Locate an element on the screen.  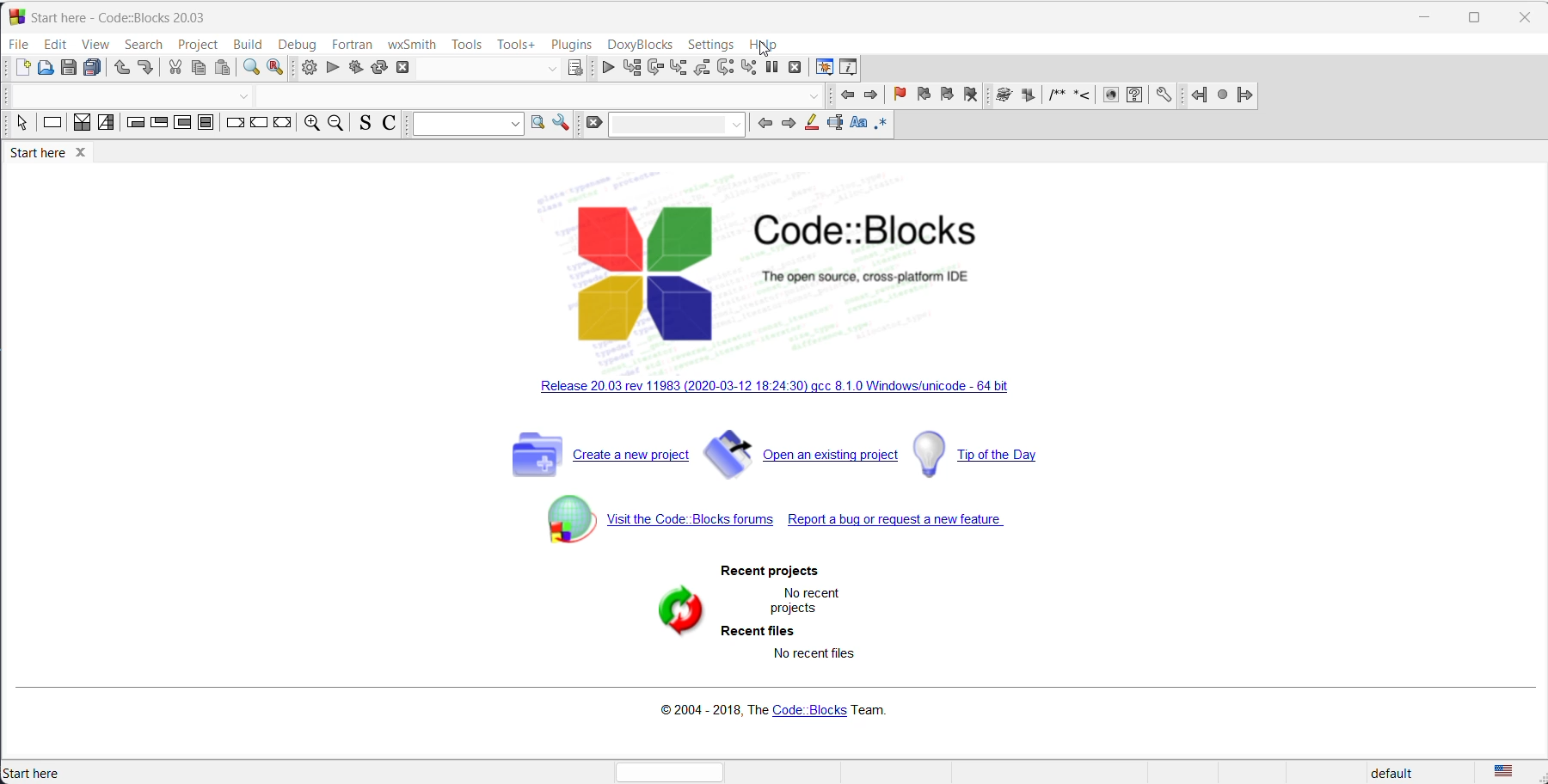
run to cursor is located at coordinates (655, 68).